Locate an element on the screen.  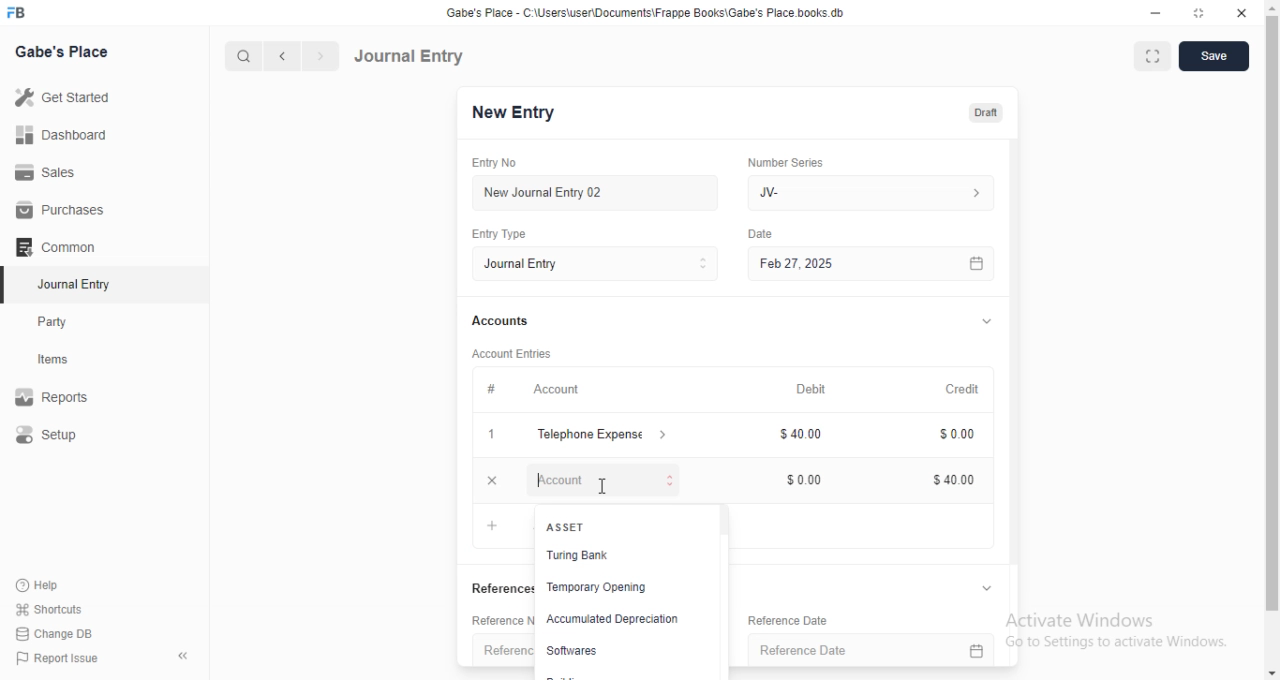
Accumulated Depreciation is located at coordinates (615, 619).